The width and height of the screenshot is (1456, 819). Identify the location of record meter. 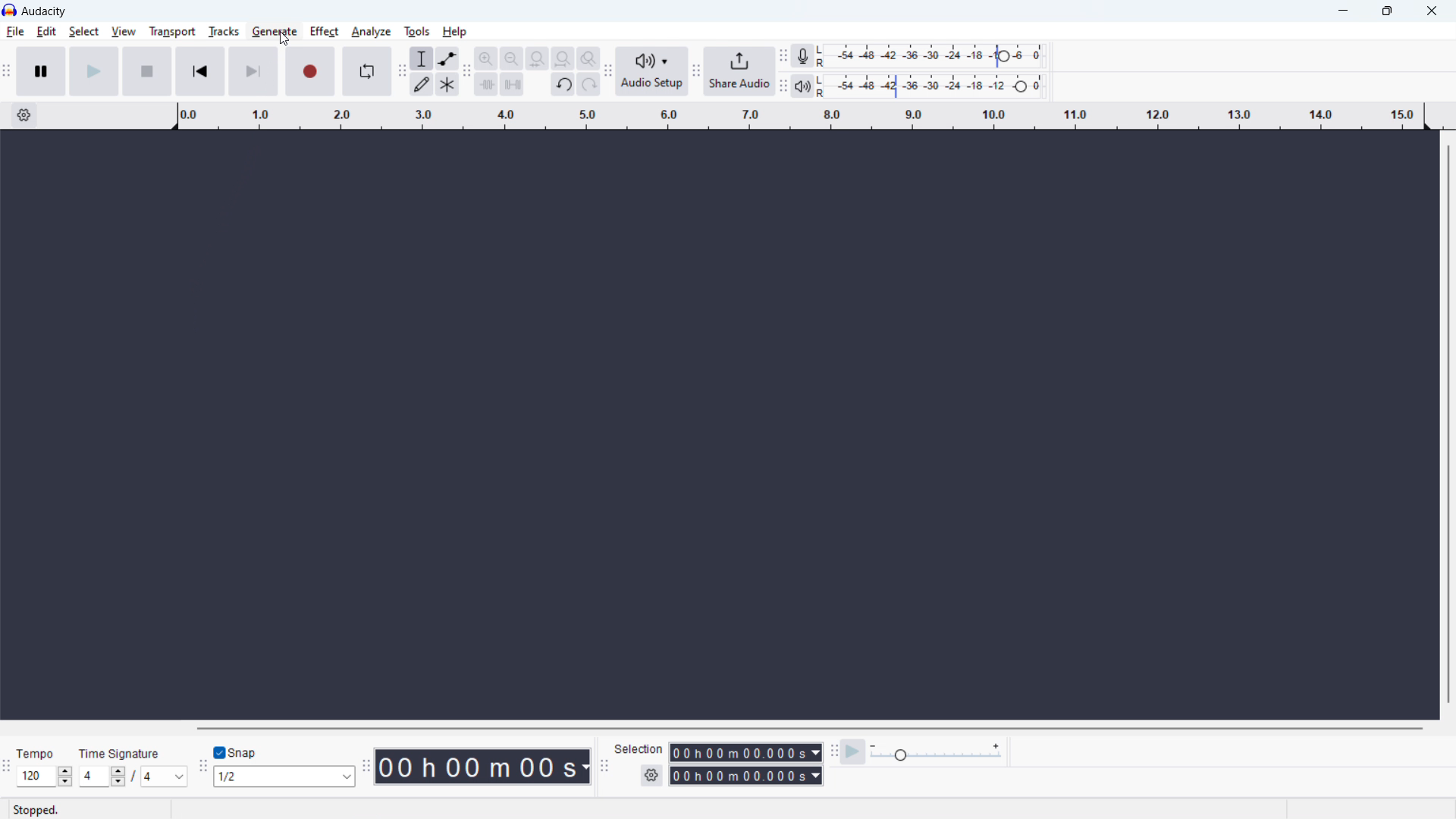
(937, 56).